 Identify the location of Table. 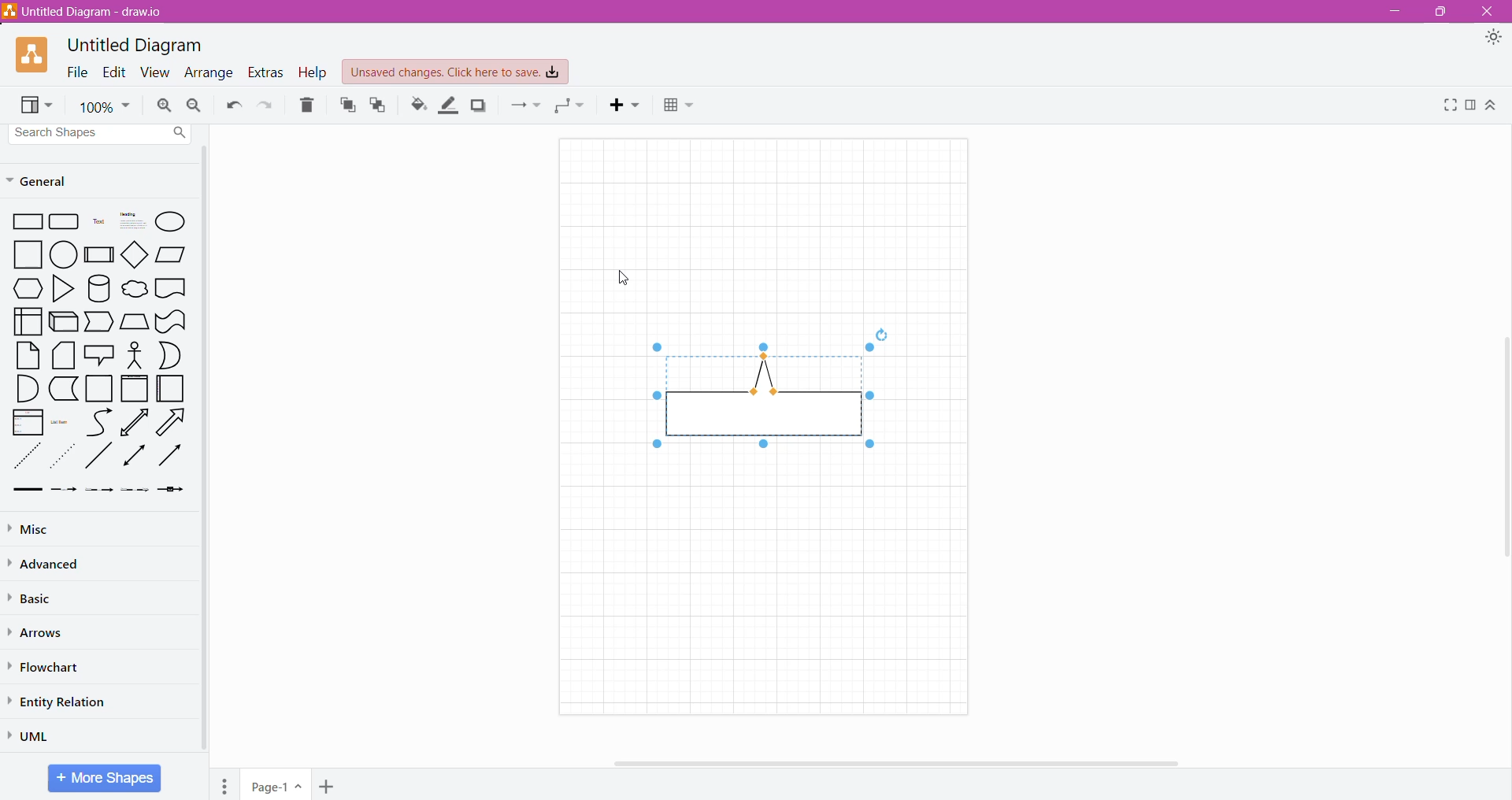
(681, 107).